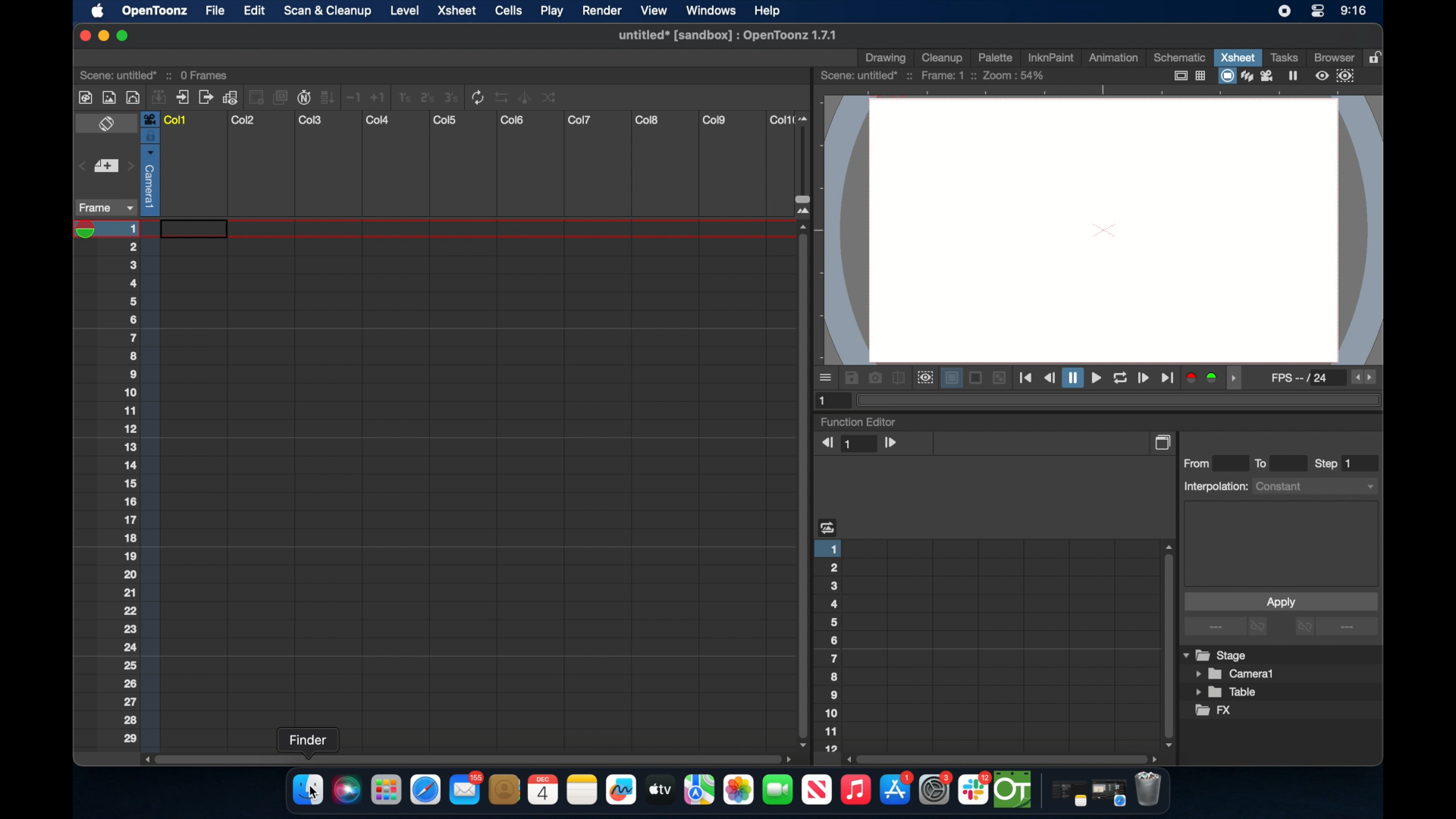  What do you see at coordinates (1236, 674) in the screenshot?
I see `camera1` at bounding box center [1236, 674].